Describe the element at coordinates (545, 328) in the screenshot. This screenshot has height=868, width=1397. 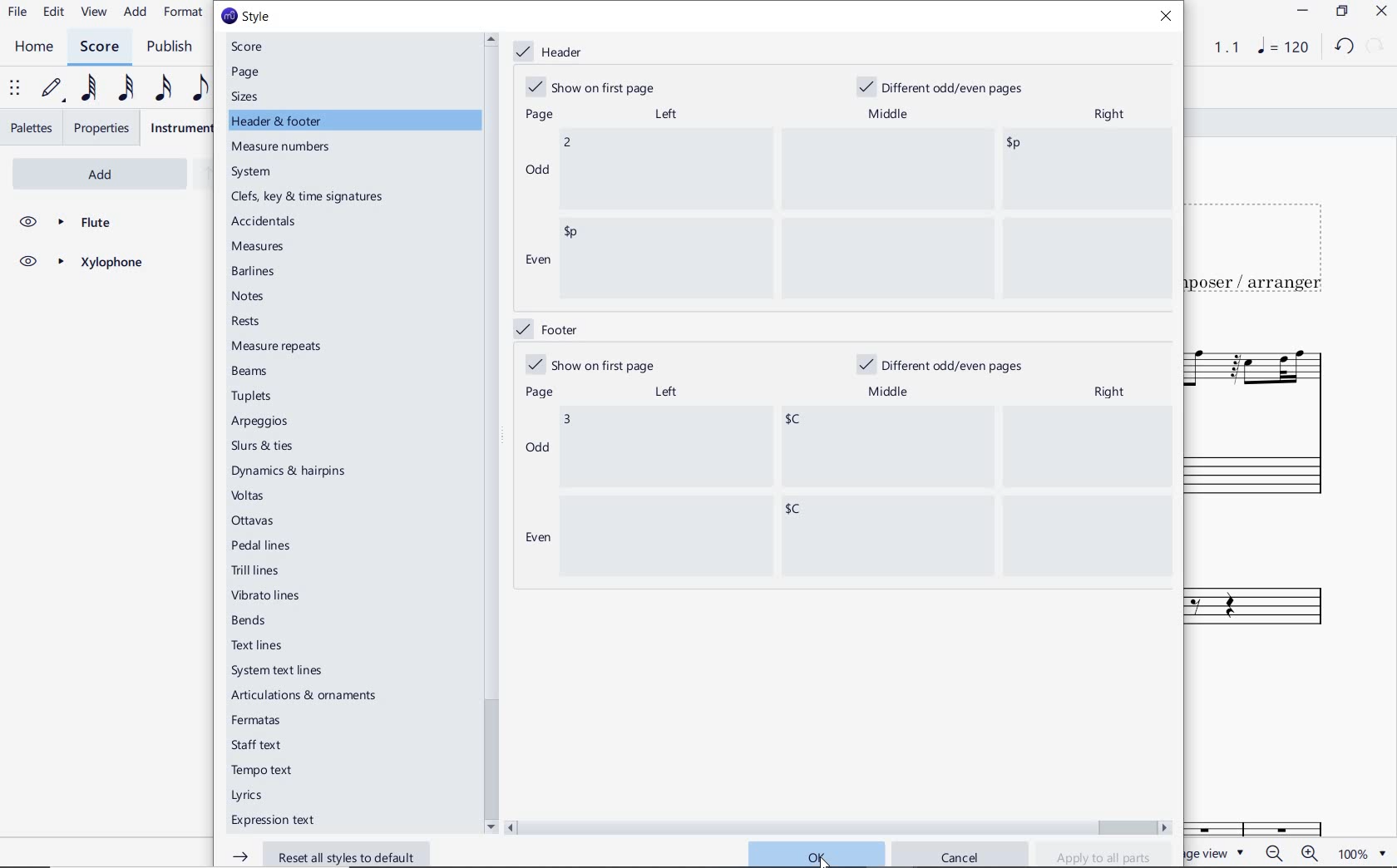
I see `footer marked` at that location.